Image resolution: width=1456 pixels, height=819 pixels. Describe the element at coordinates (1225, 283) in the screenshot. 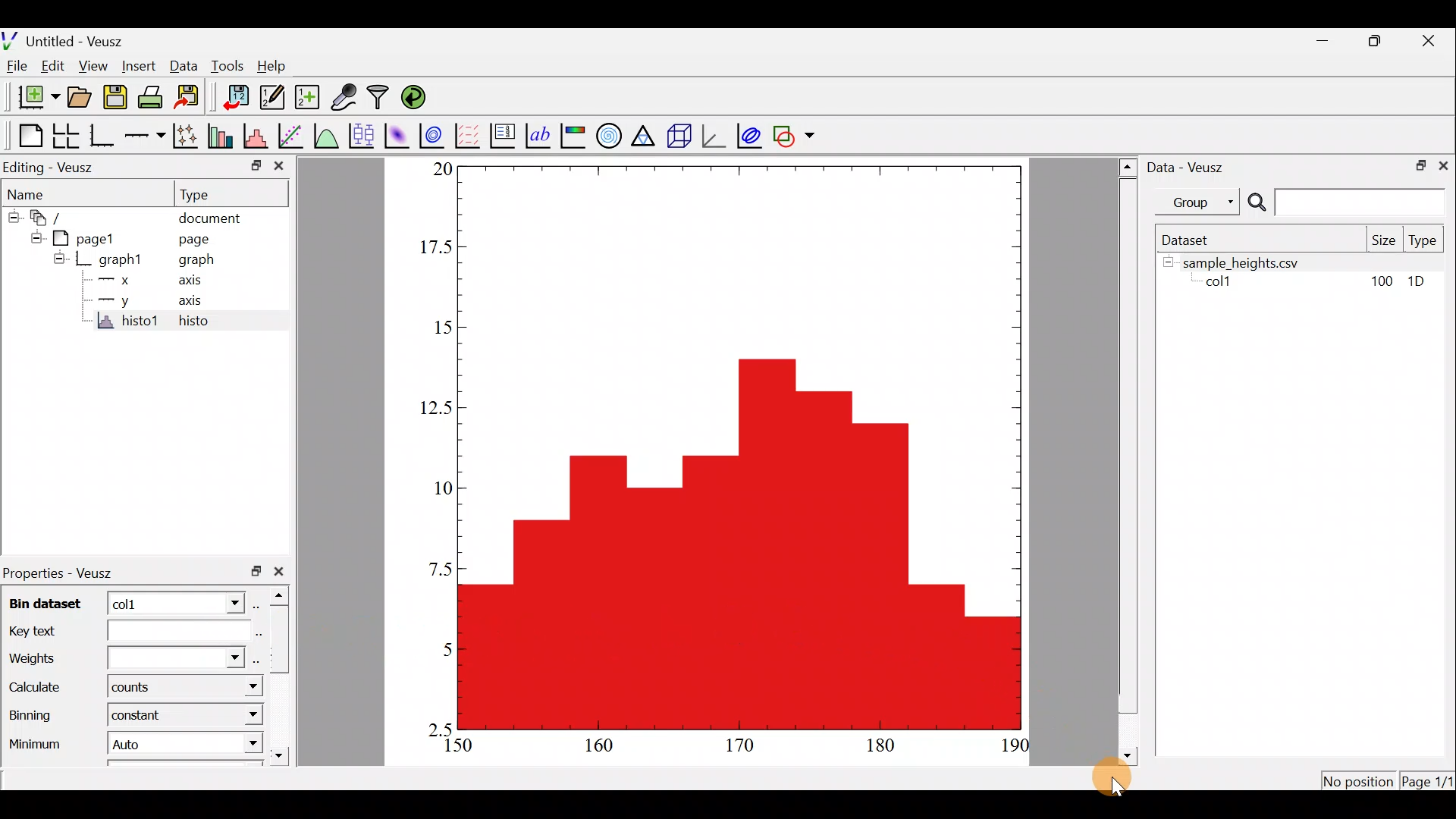

I see `coll` at that location.